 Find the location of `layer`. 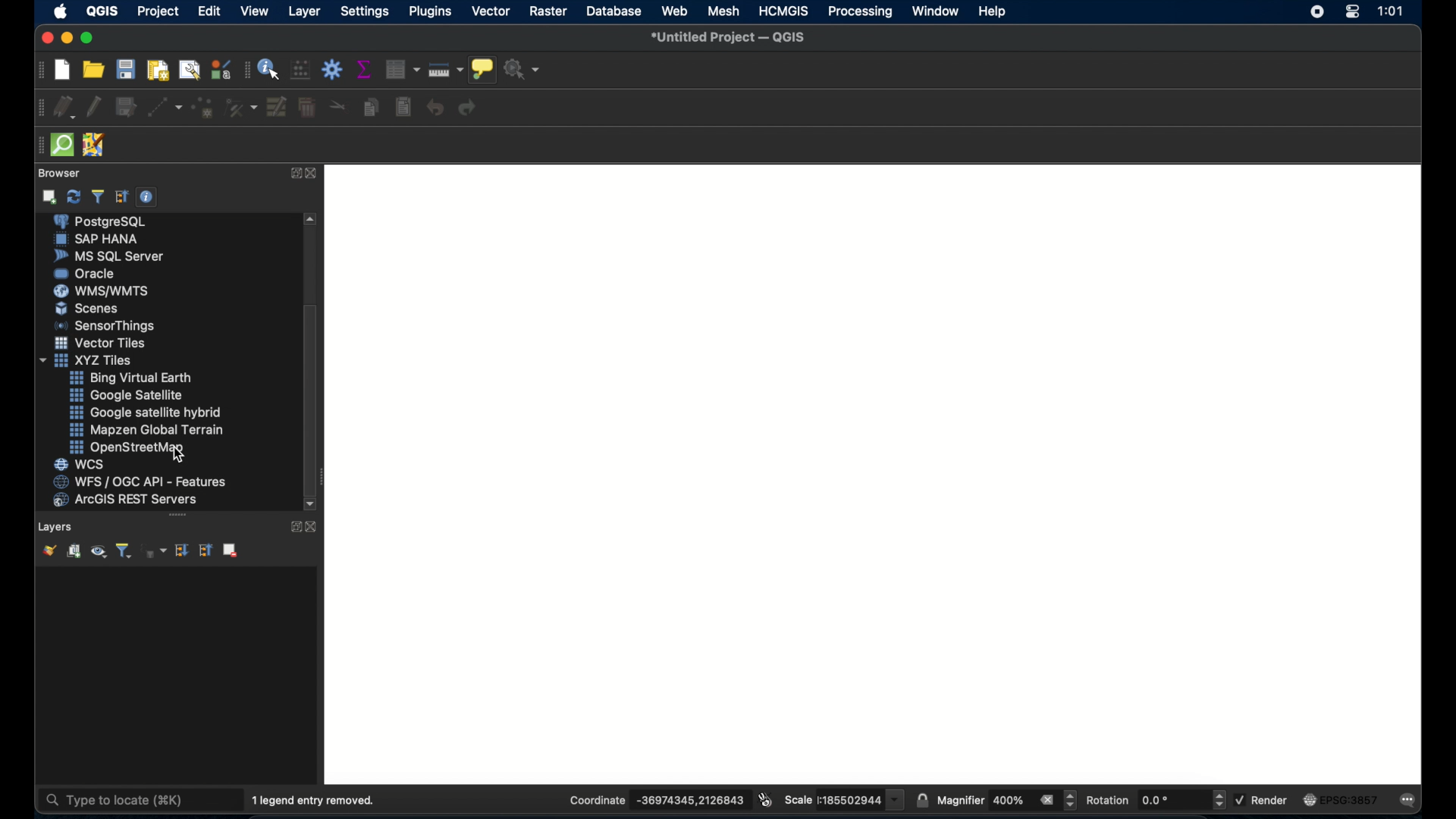

layer is located at coordinates (303, 11).